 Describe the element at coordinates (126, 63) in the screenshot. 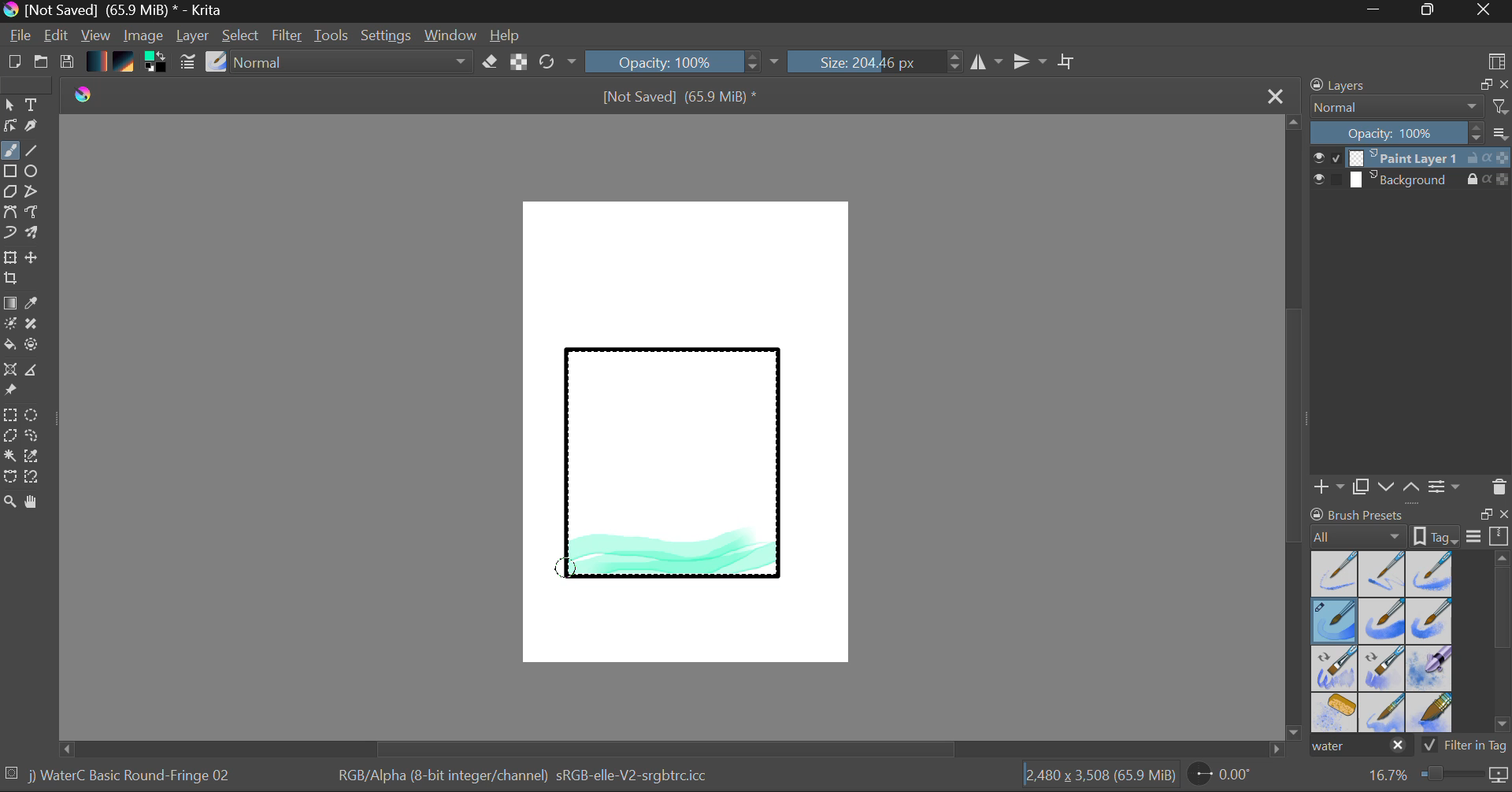

I see `Pattern` at that location.